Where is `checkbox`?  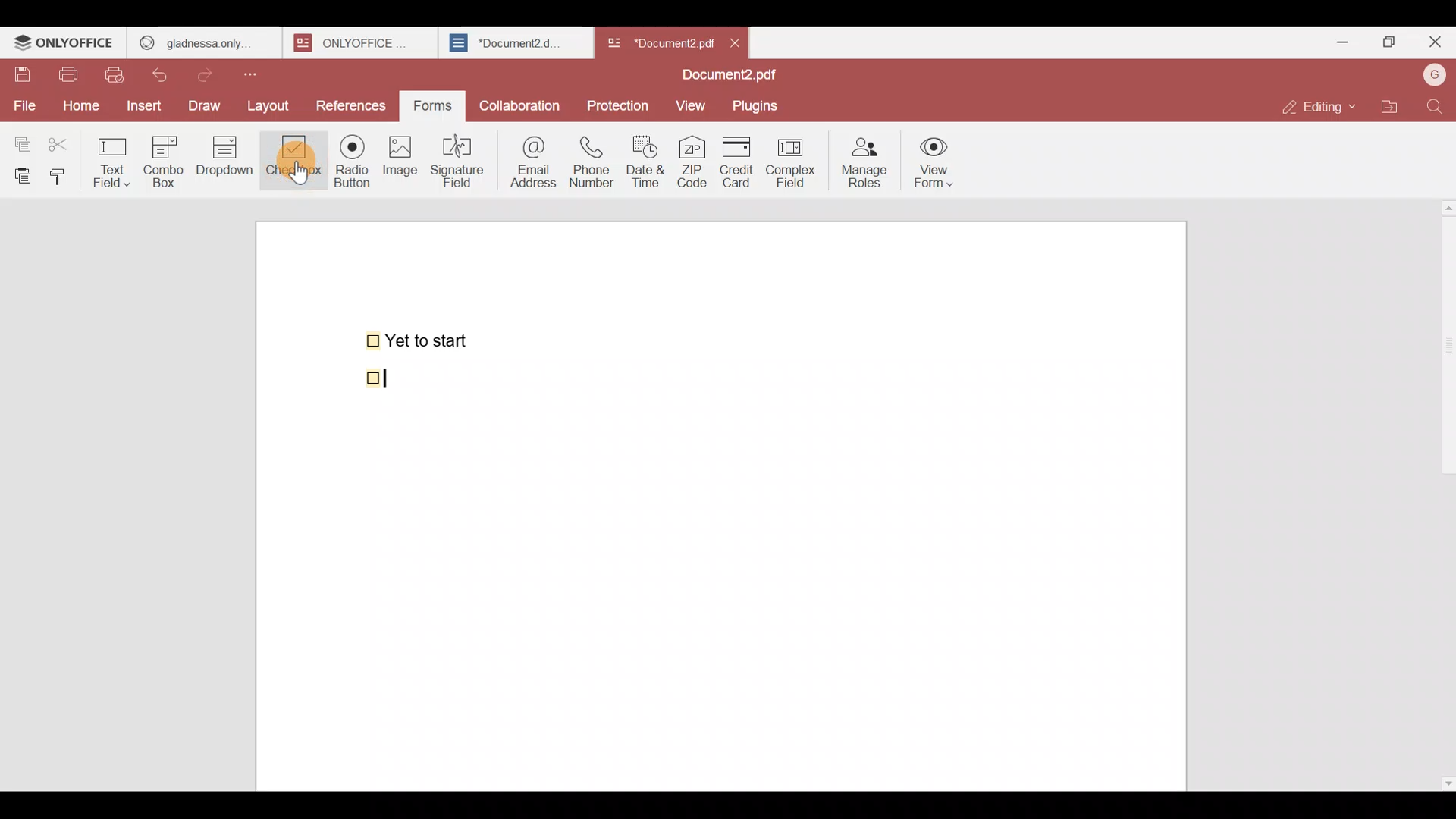 checkbox is located at coordinates (375, 380).